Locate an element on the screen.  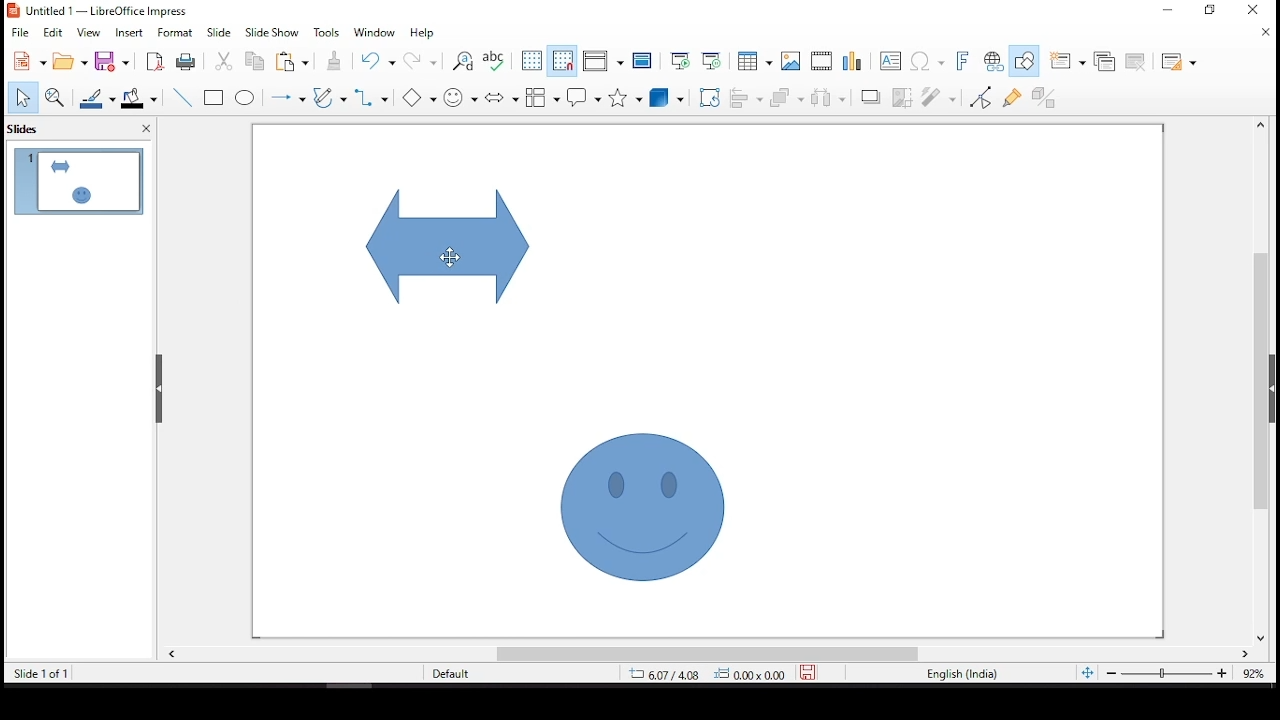
window is located at coordinates (377, 33).